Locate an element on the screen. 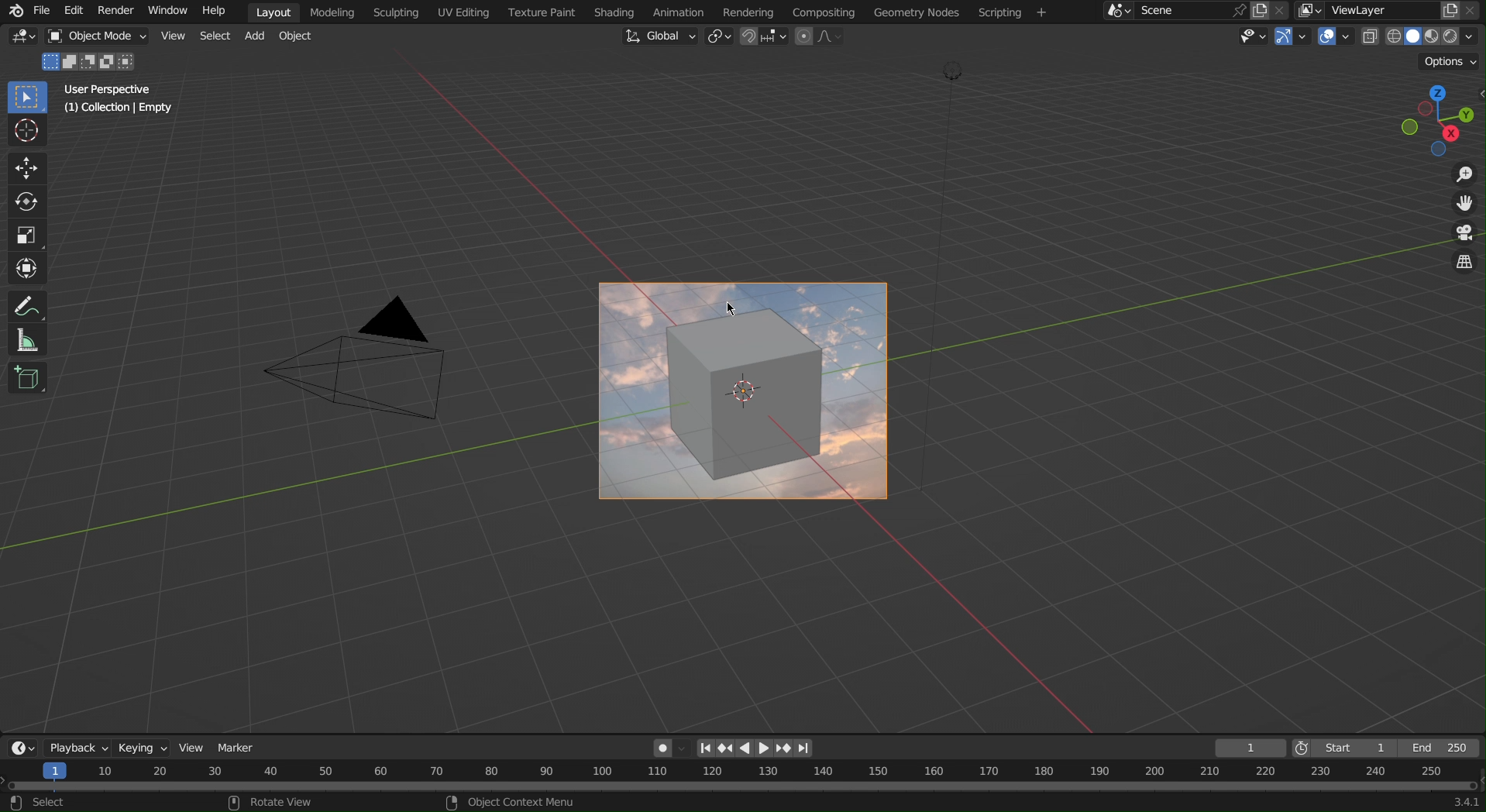 This screenshot has height=812, width=1486. Render is located at coordinates (114, 12).